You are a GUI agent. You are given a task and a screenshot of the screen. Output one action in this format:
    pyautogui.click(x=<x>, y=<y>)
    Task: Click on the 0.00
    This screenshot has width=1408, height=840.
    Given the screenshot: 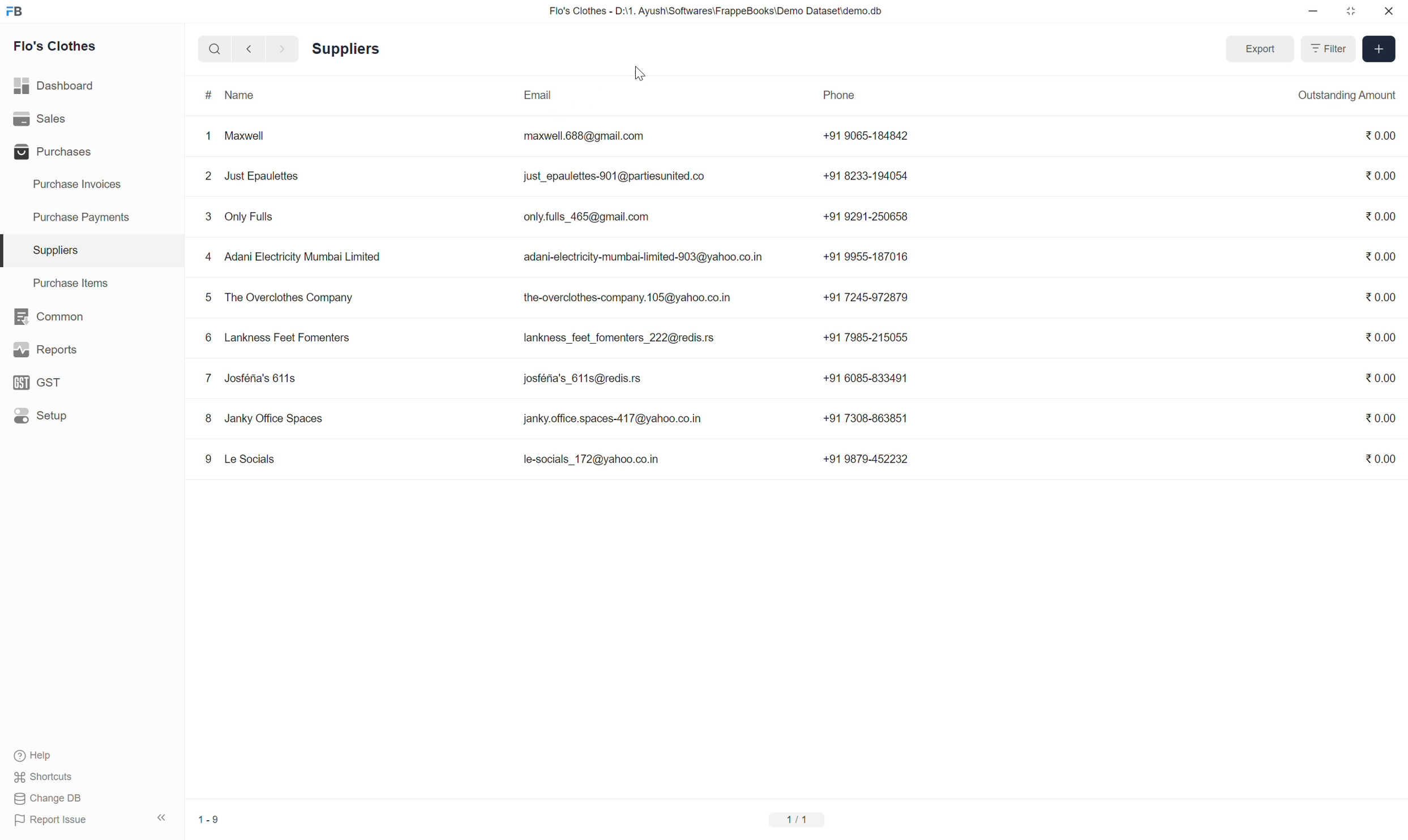 What is the action you would take?
    pyautogui.click(x=1382, y=378)
    